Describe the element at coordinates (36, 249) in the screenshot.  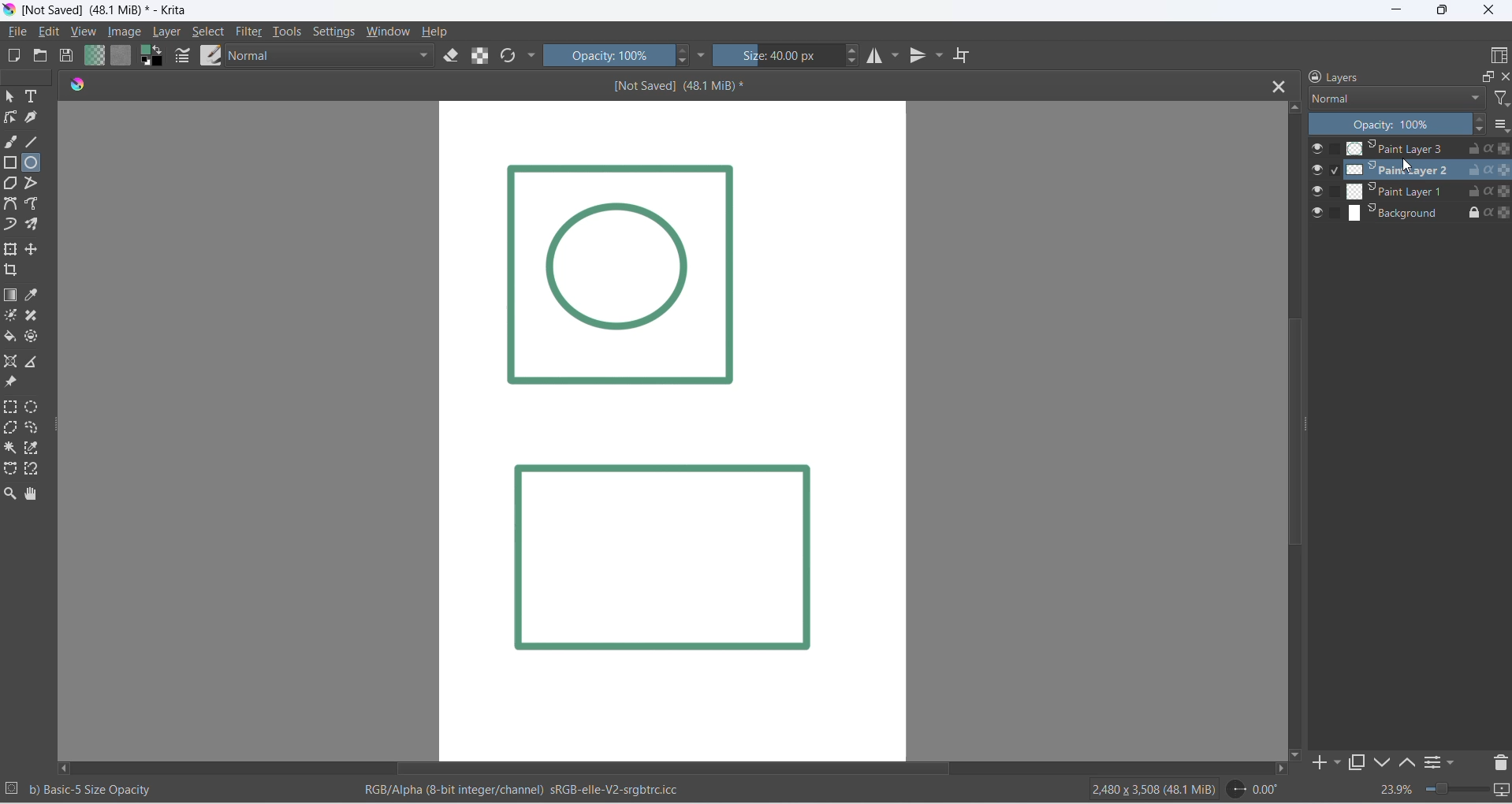
I see `move a layer` at that location.